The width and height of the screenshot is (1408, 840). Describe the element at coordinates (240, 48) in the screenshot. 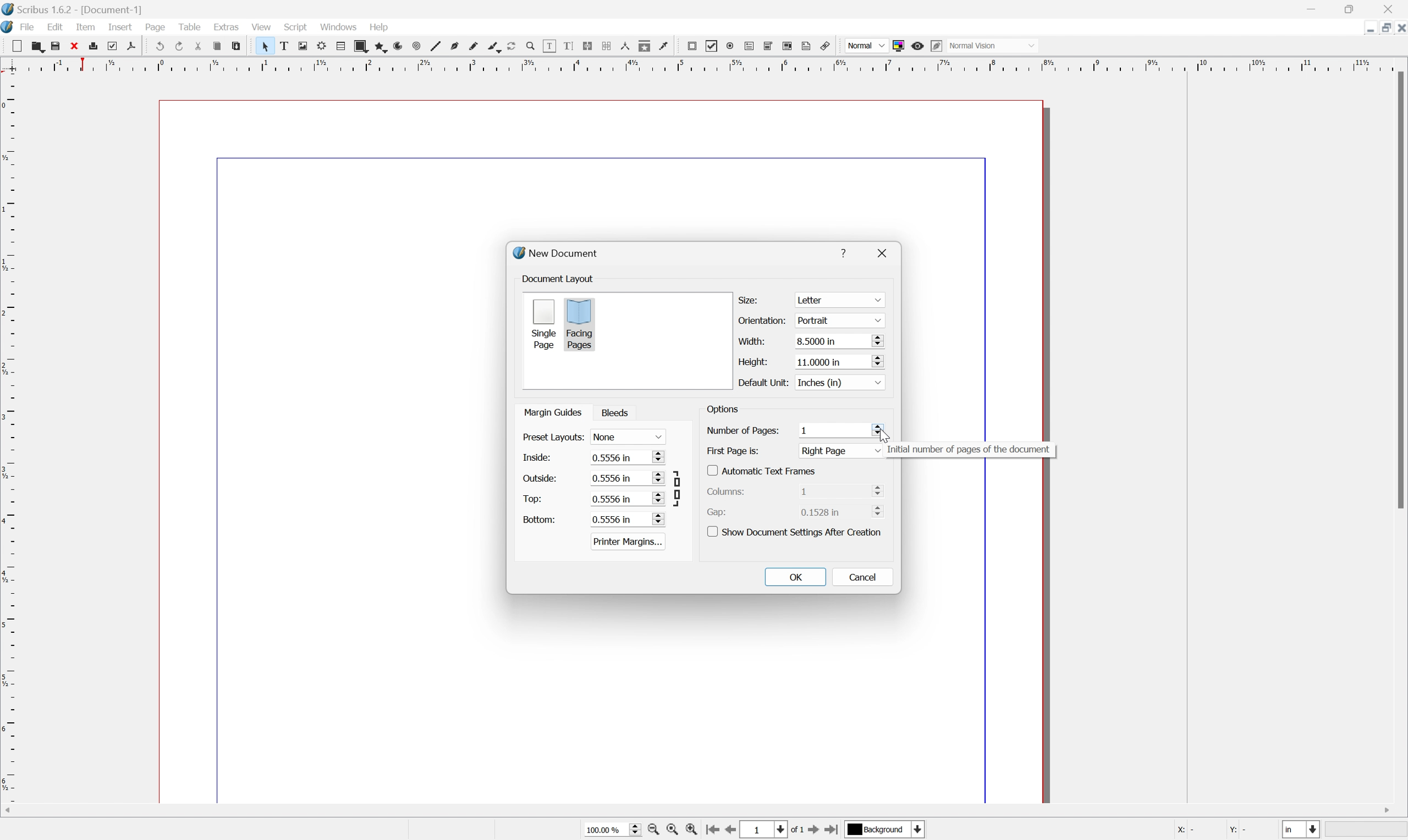

I see `Paste` at that location.